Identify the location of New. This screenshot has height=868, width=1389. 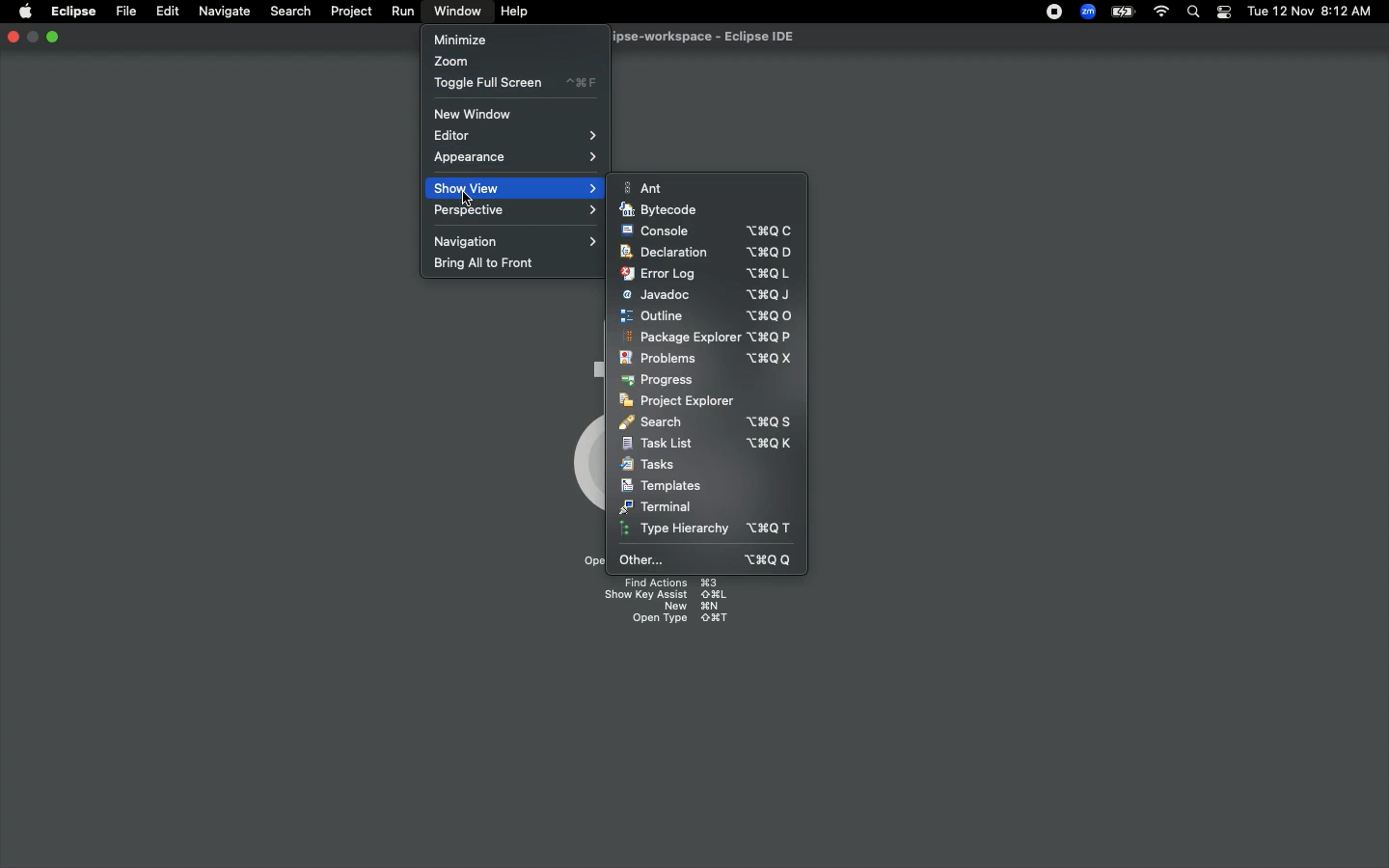
(693, 608).